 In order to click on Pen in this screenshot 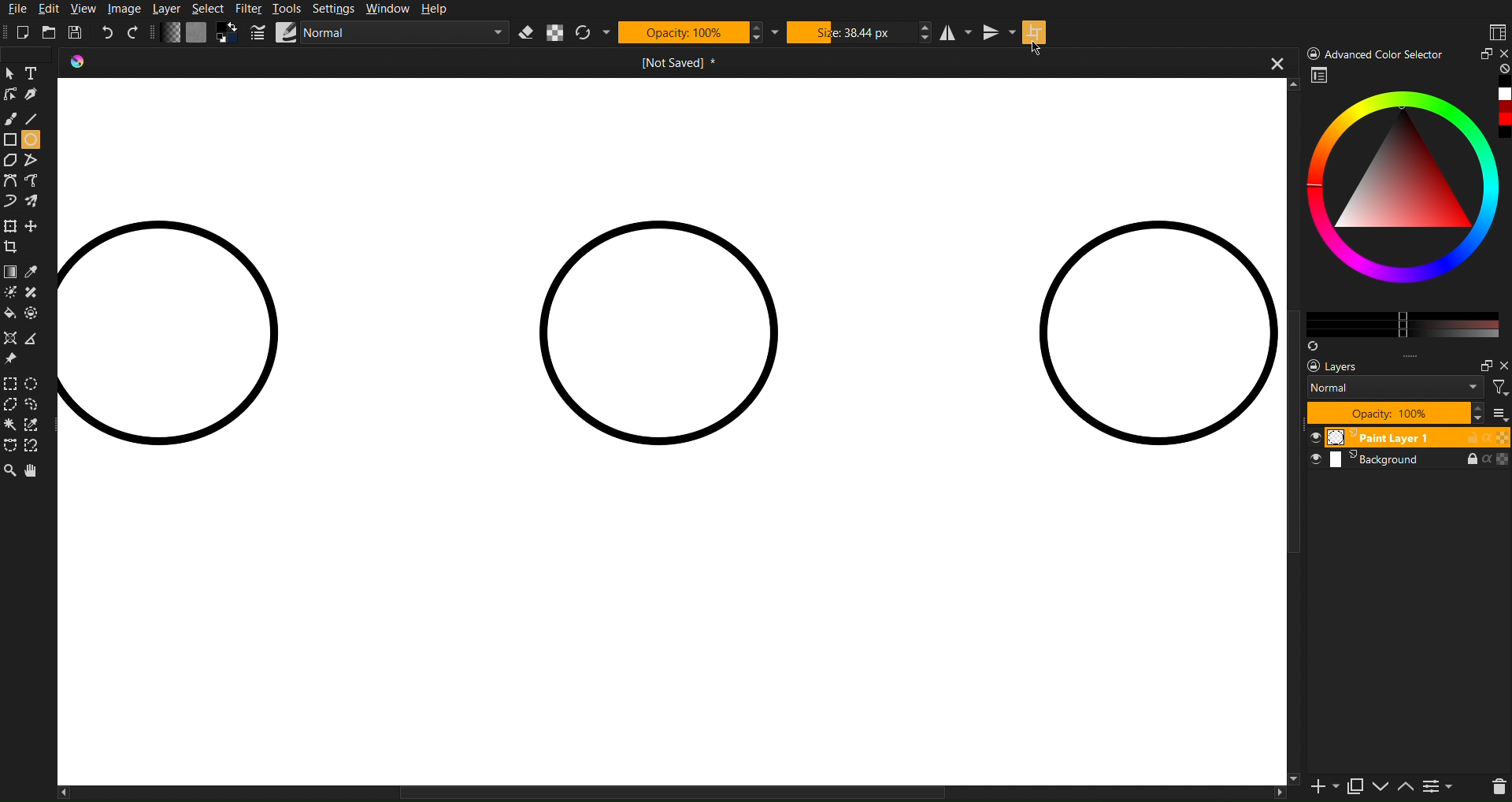, I will do `click(33, 95)`.